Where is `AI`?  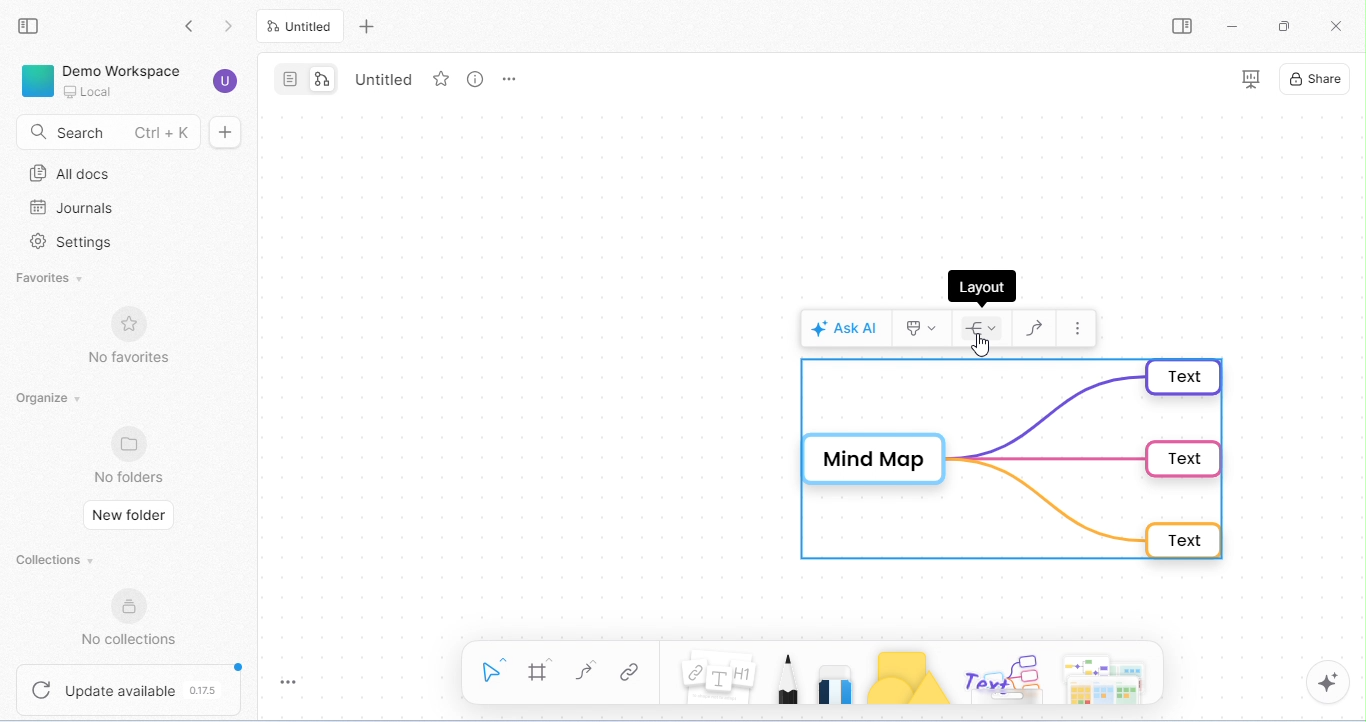 AI is located at coordinates (1328, 683).